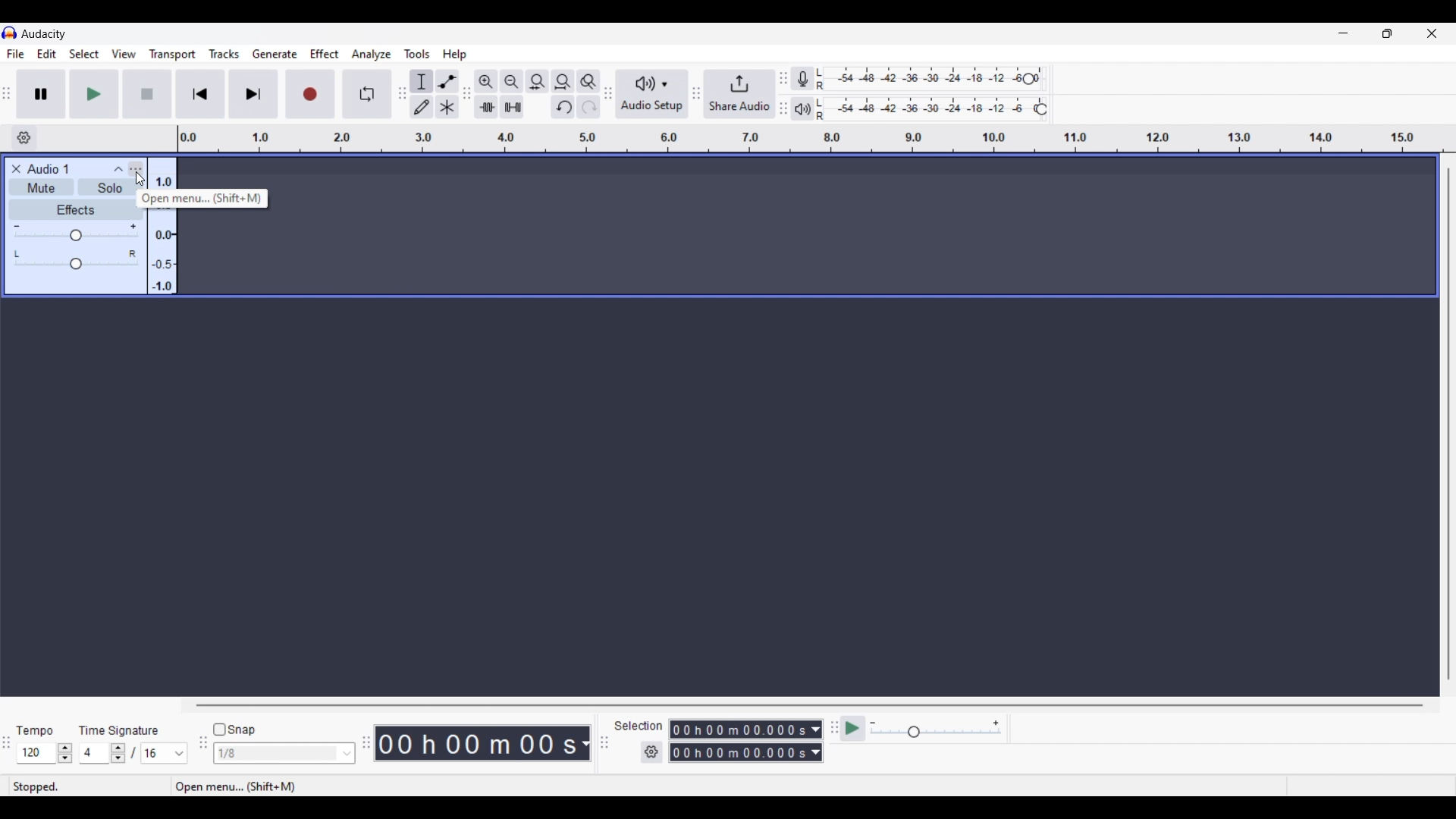 The image size is (1456, 819). I want to click on Pan extreme right, so click(133, 254).